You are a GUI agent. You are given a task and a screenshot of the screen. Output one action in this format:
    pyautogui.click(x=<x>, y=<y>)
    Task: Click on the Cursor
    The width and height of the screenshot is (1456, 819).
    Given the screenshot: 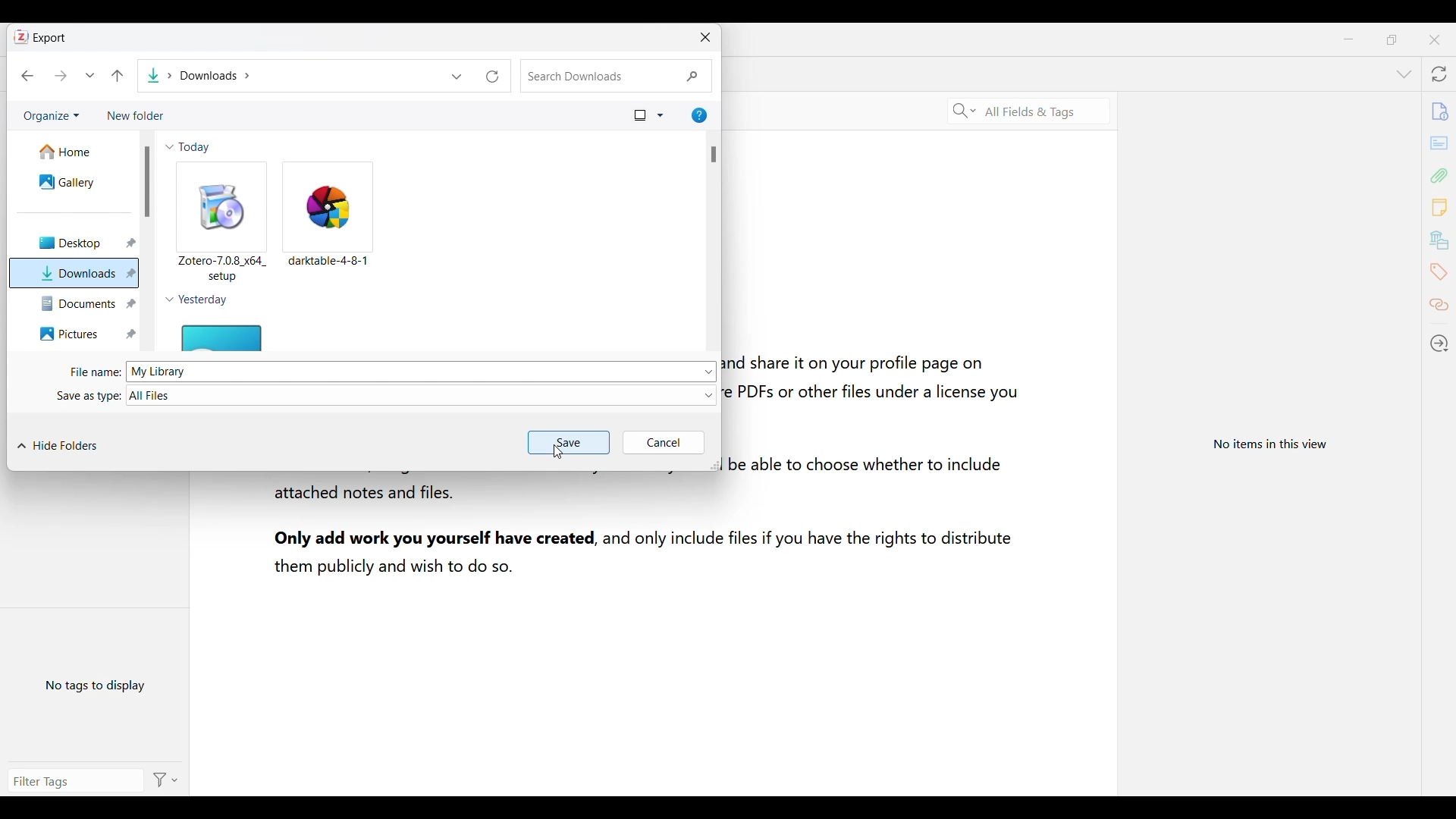 What is the action you would take?
    pyautogui.click(x=560, y=452)
    